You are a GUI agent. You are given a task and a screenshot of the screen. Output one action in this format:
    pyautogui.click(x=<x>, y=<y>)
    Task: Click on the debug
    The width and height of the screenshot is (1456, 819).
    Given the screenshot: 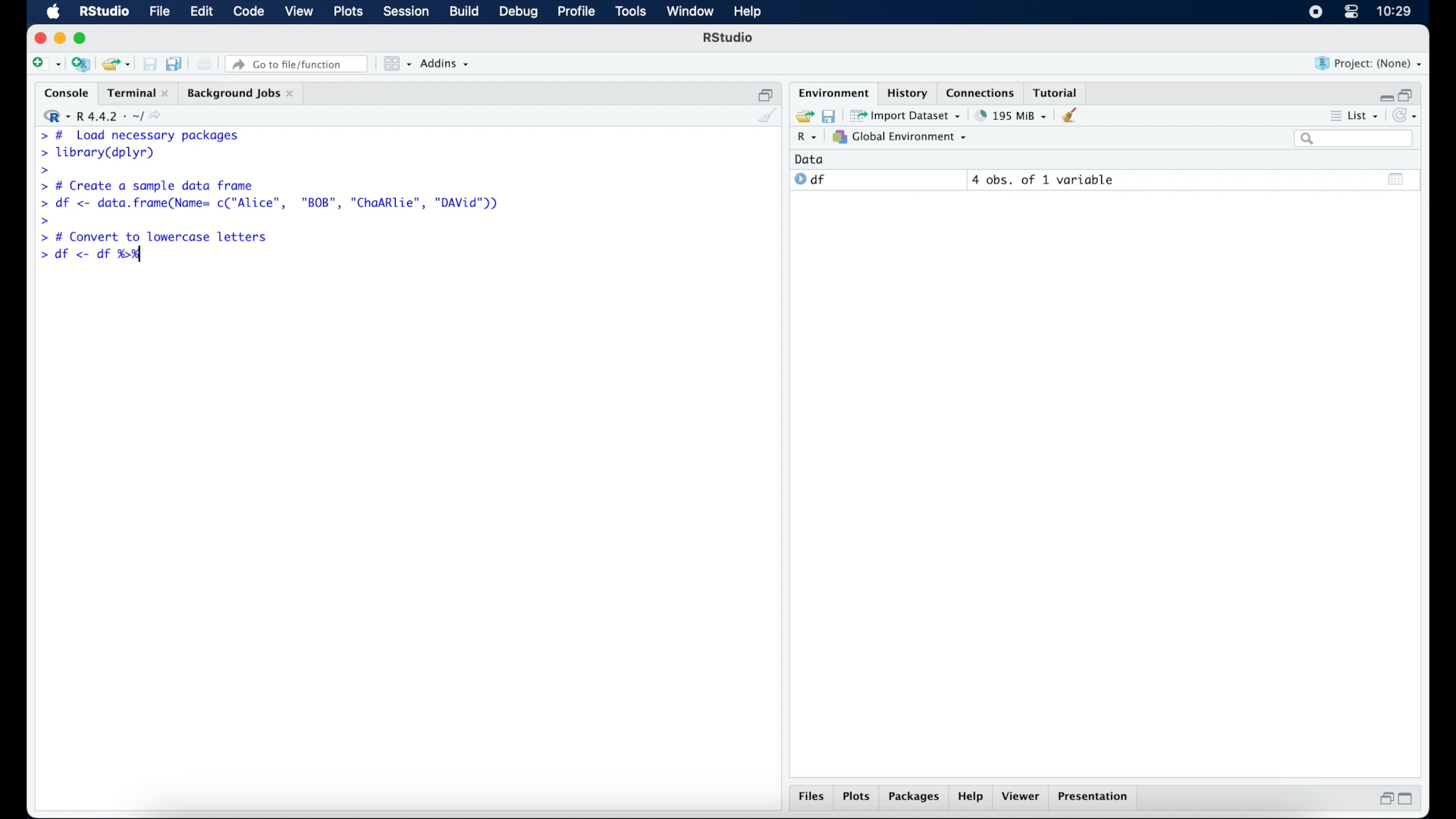 What is the action you would take?
    pyautogui.click(x=519, y=13)
    